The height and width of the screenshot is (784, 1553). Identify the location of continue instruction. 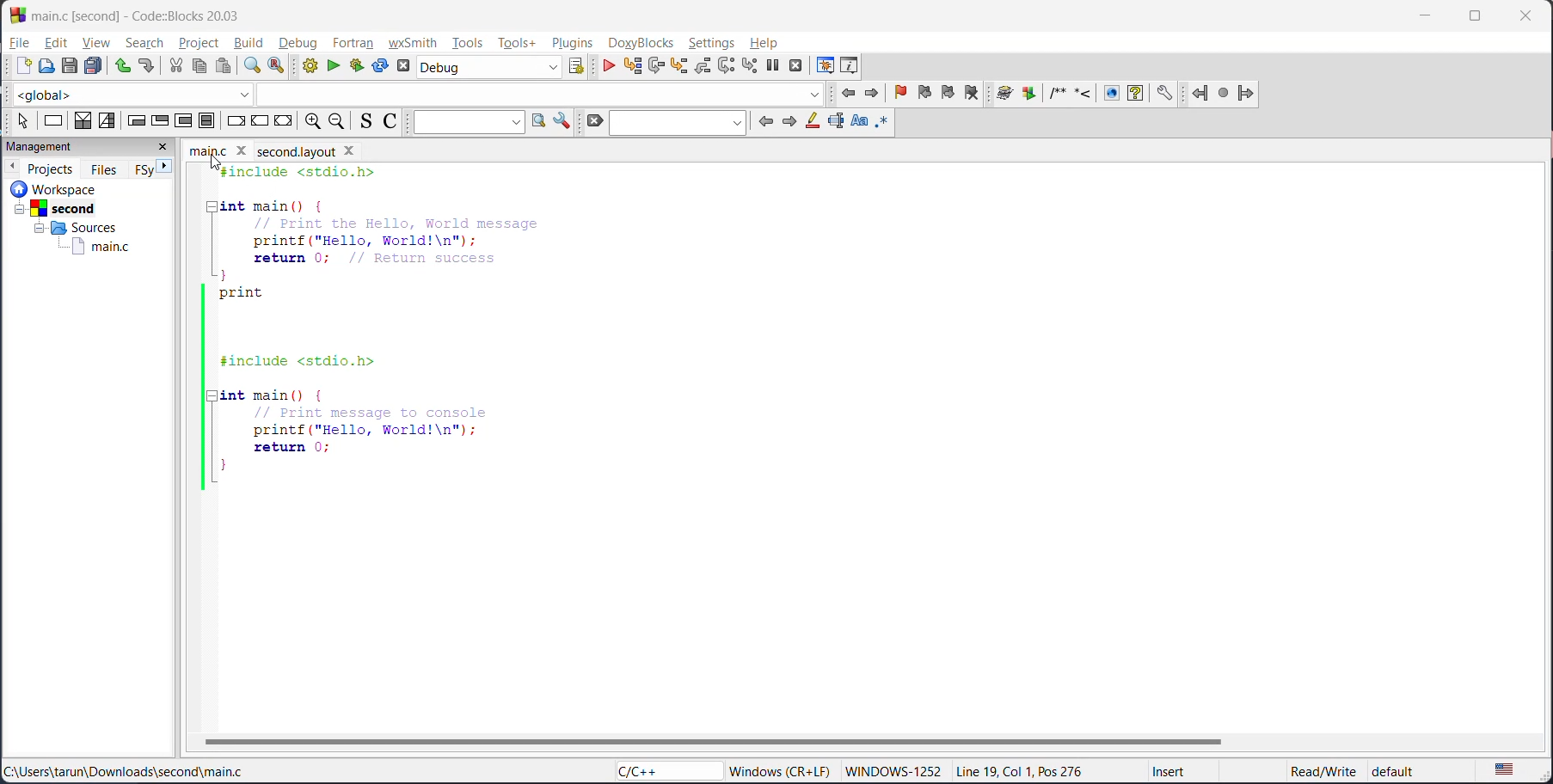
(258, 120).